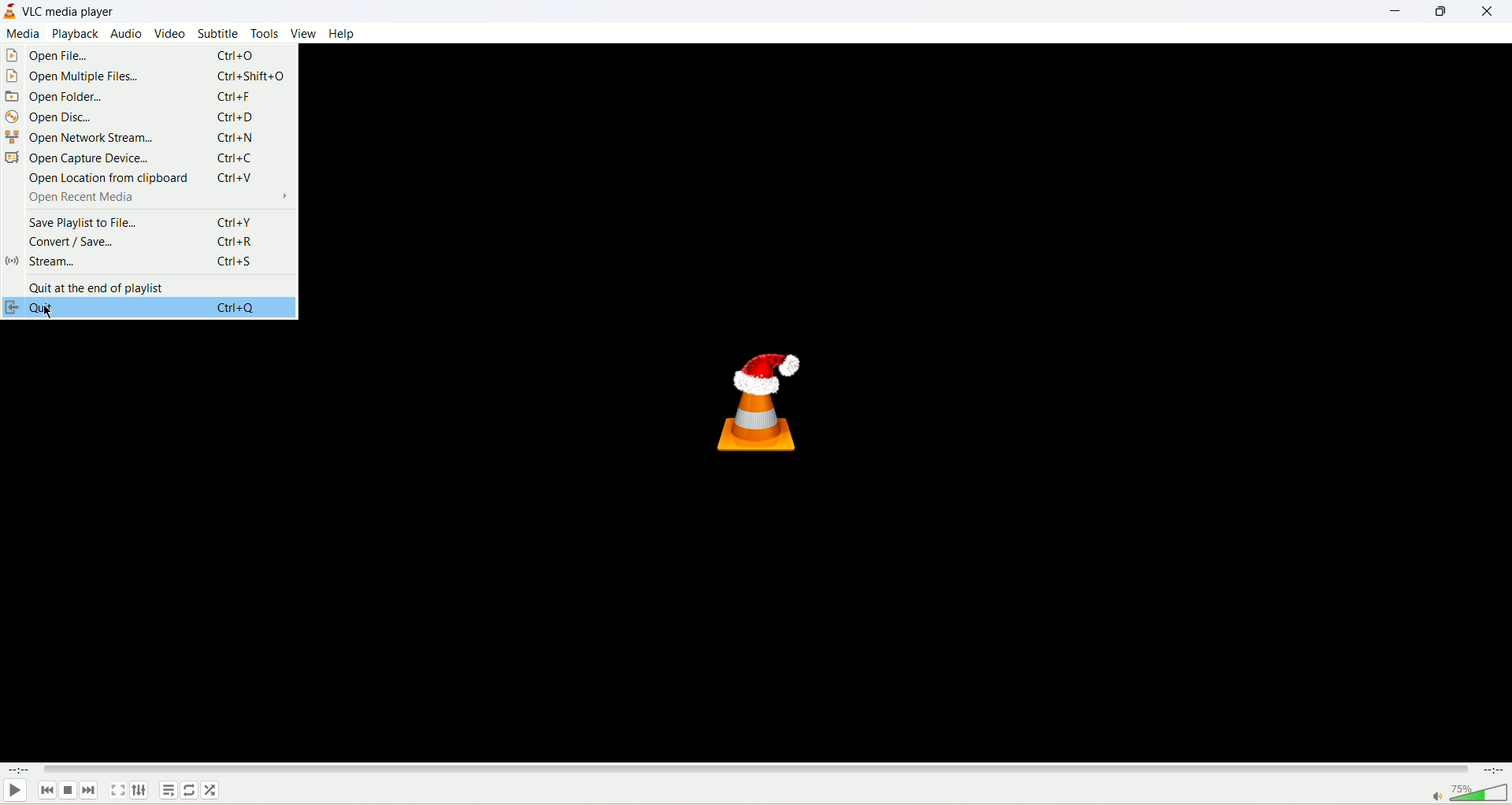 The image size is (1512, 805). Describe the element at coordinates (10, 10) in the screenshot. I see `application icon` at that location.